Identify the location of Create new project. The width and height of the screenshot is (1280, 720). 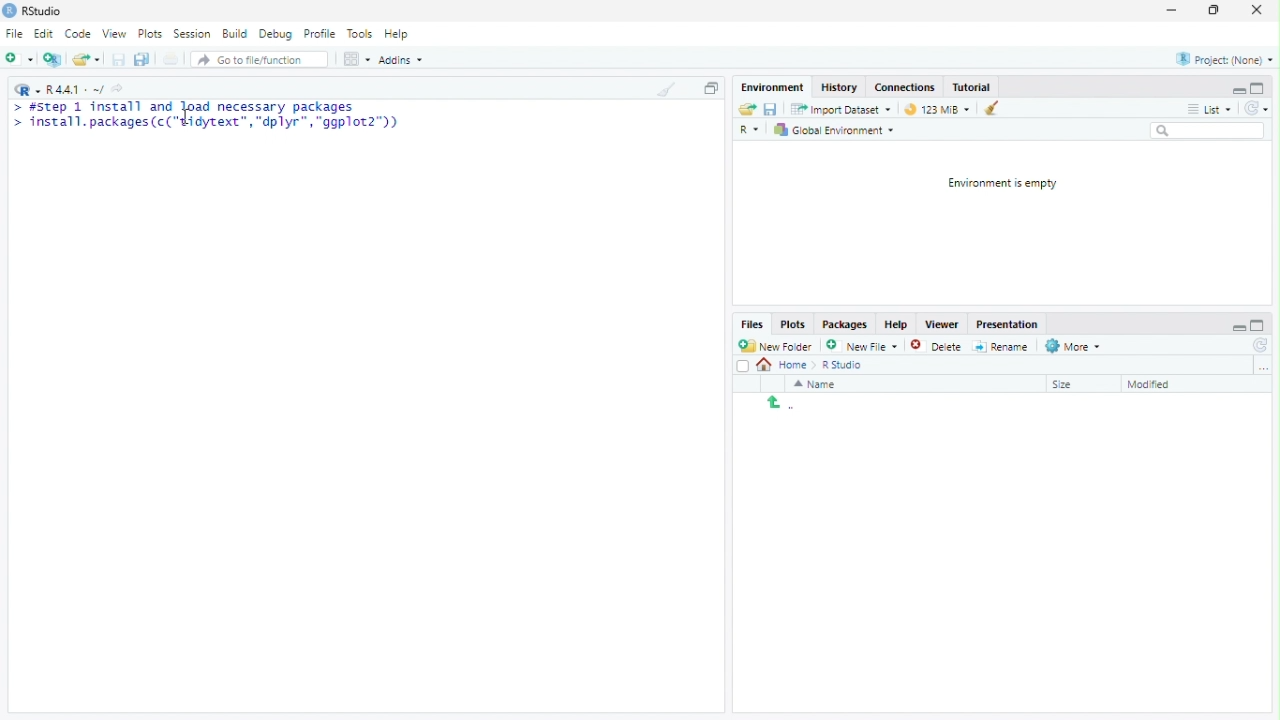
(53, 59).